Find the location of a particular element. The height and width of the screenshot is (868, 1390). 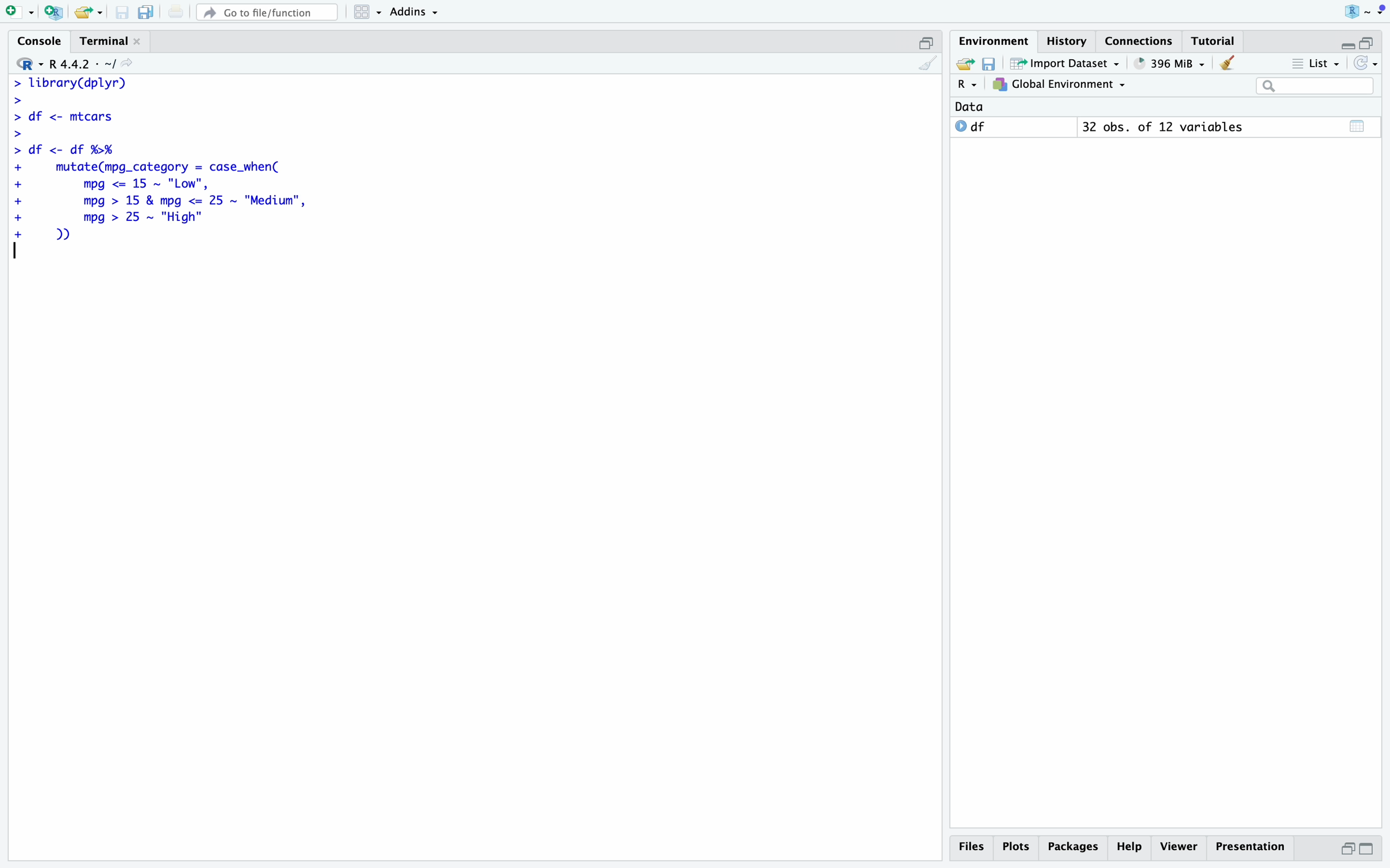

copy is located at coordinates (148, 13).